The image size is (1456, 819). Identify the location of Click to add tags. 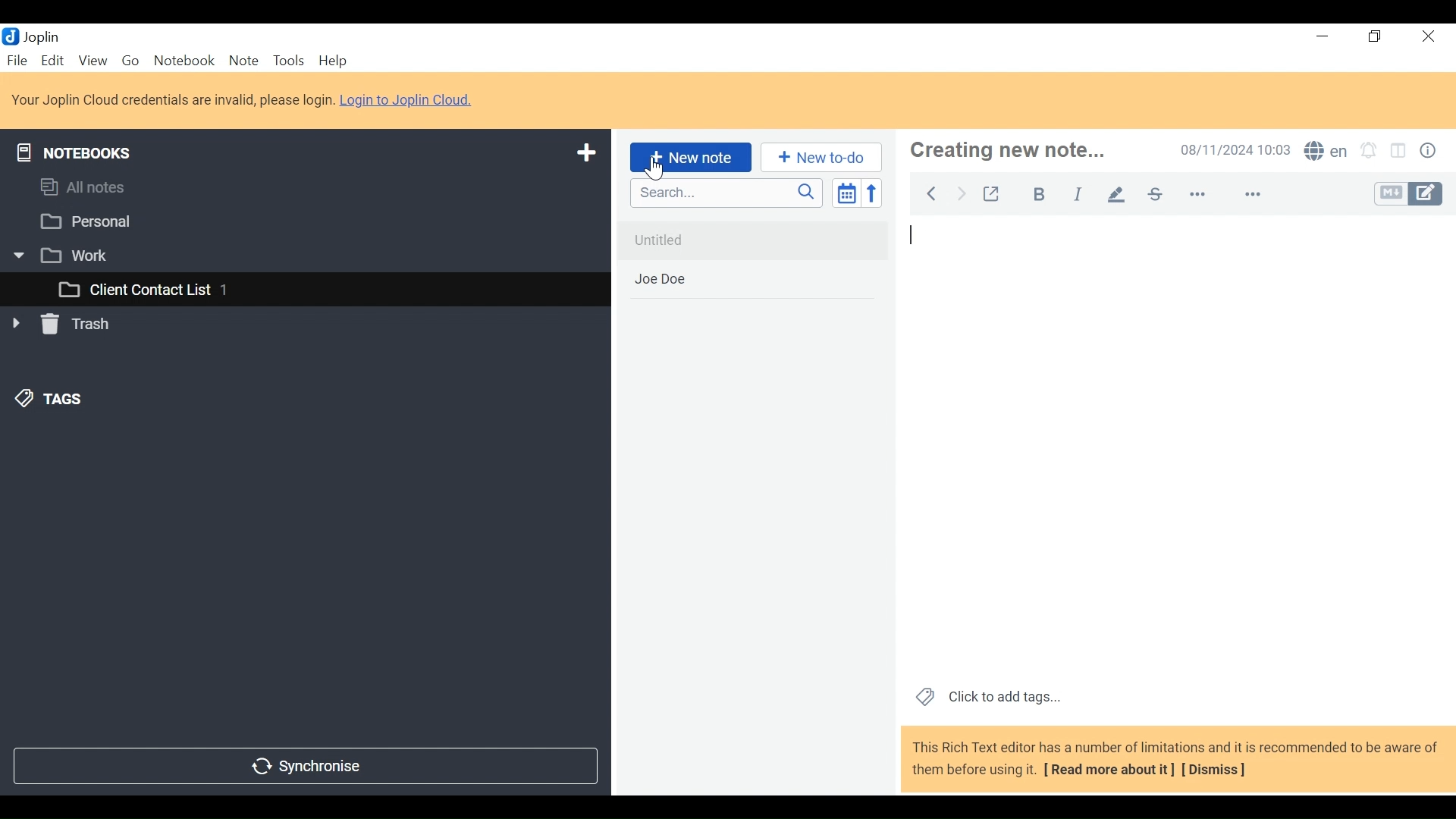
(985, 698).